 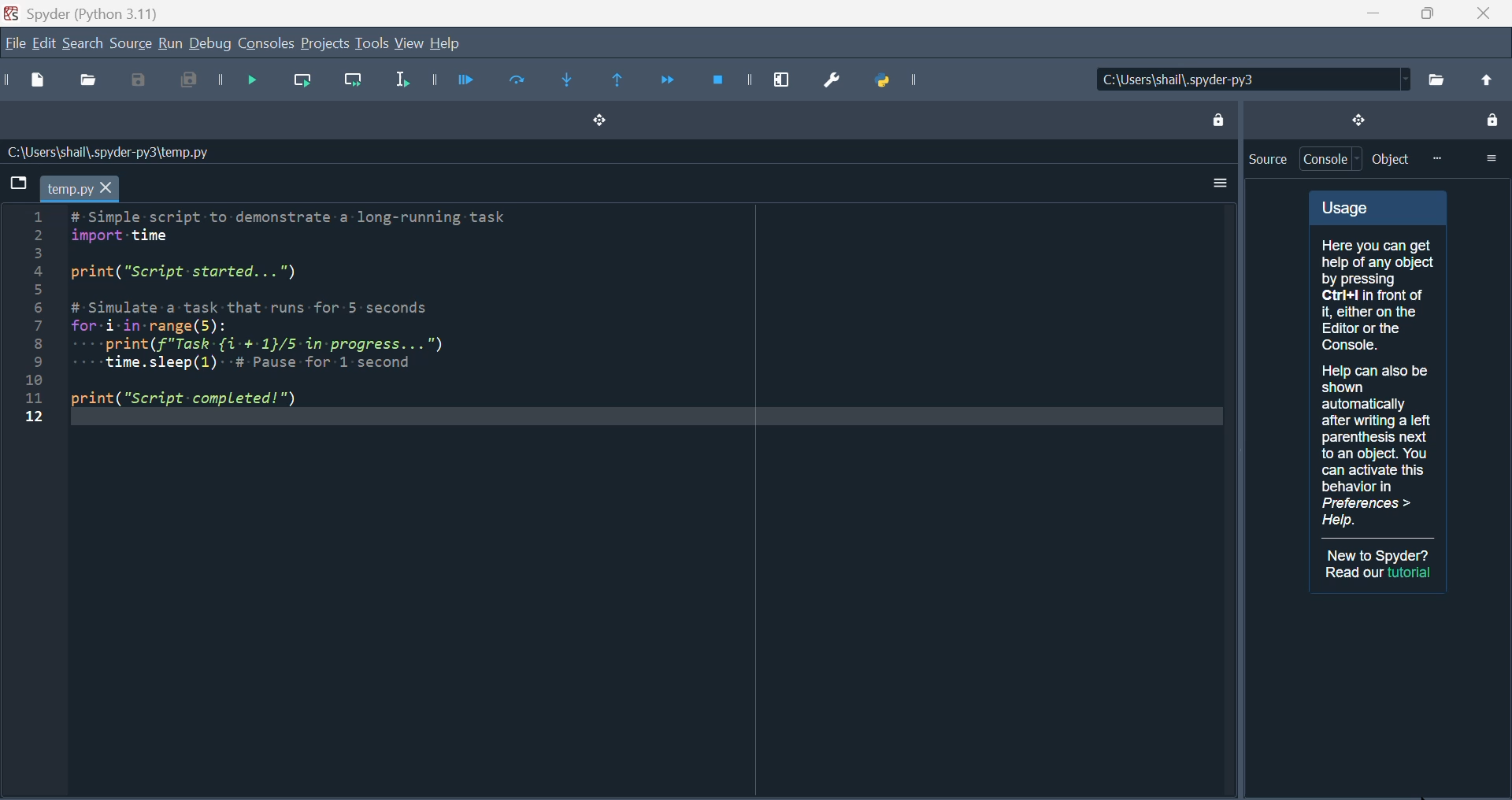 What do you see at coordinates (371, 43) in the screenshot?
I see `Tools` at bounding box center [371, 43].